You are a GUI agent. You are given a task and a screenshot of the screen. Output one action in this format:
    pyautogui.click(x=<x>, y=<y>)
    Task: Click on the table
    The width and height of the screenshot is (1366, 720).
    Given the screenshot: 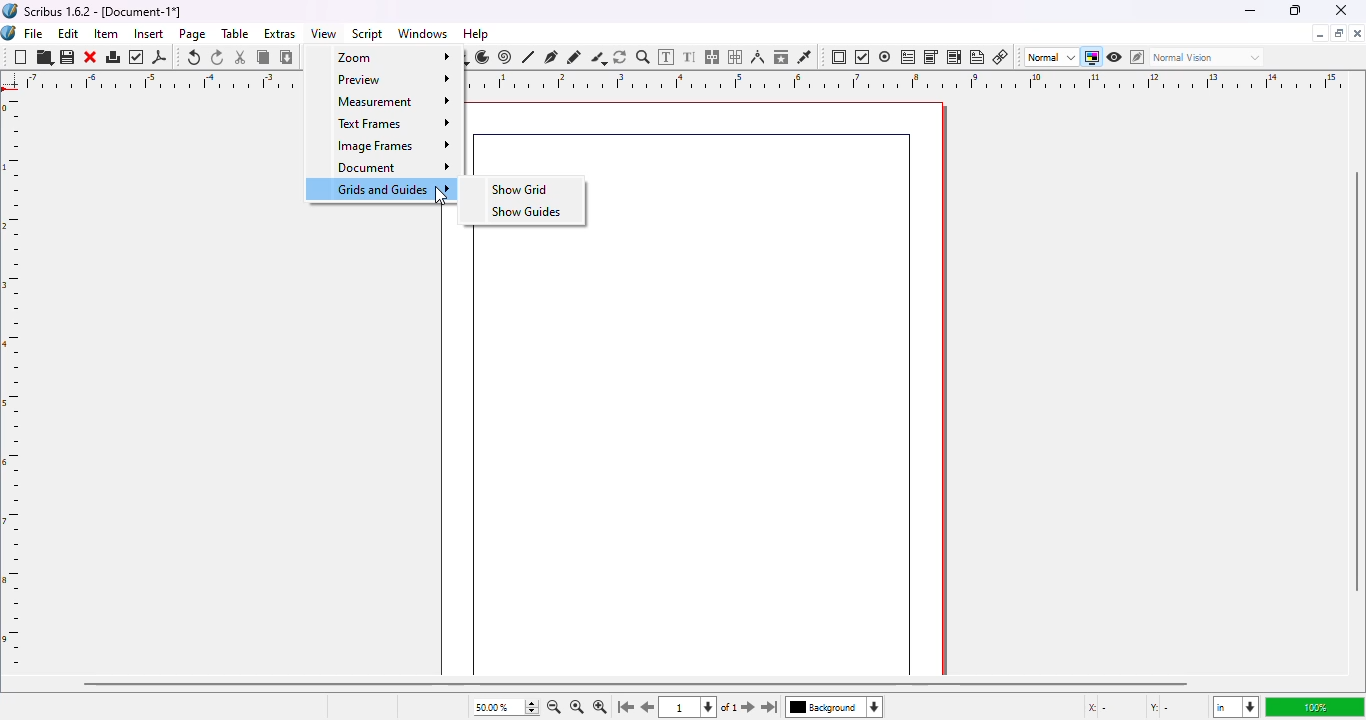 What is the action you would take?
    pyautogui.click(x=236, y=34)
    